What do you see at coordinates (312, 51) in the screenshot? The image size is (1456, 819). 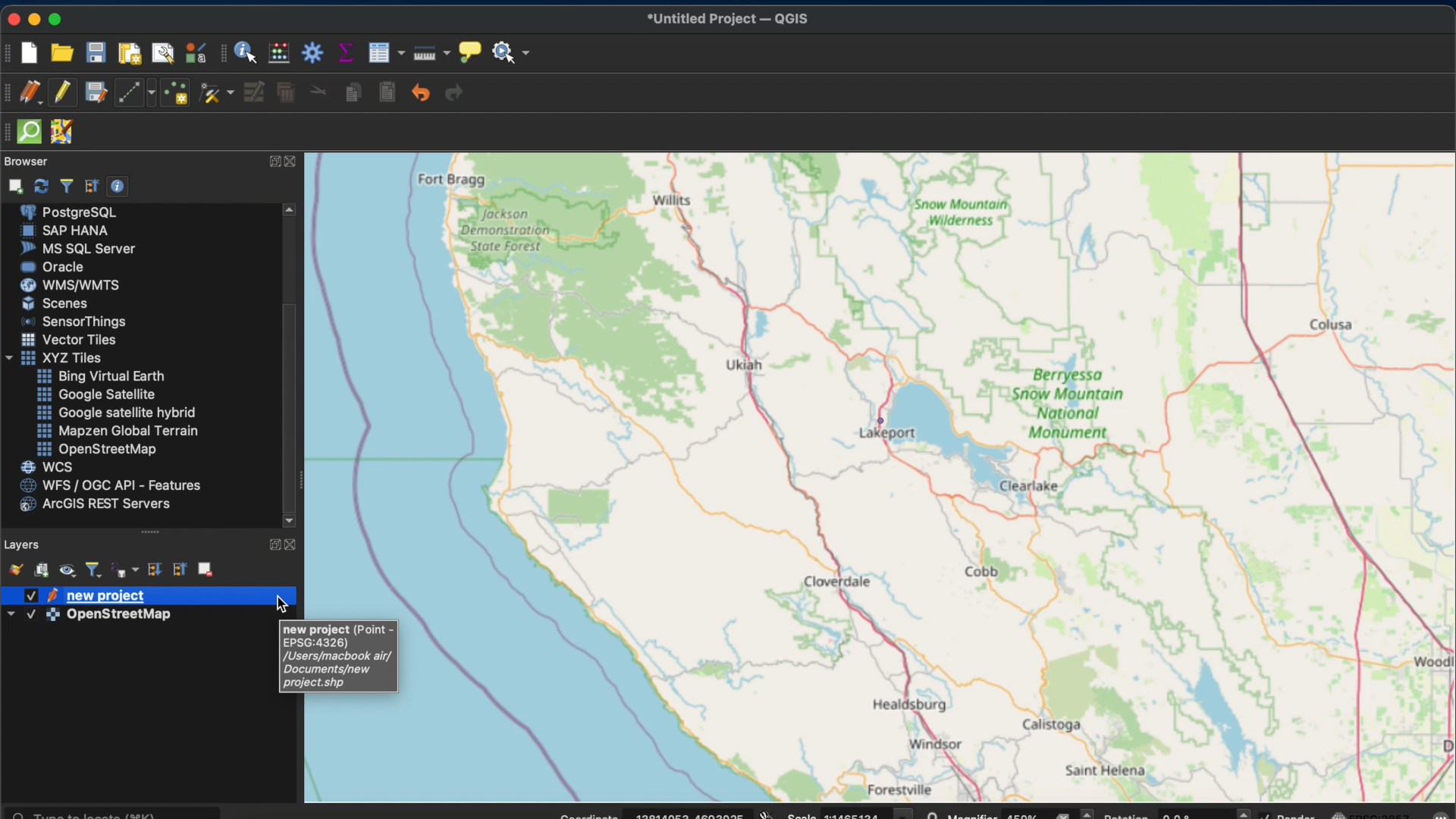 I see `toolbox` at bounding box center [312, 51].